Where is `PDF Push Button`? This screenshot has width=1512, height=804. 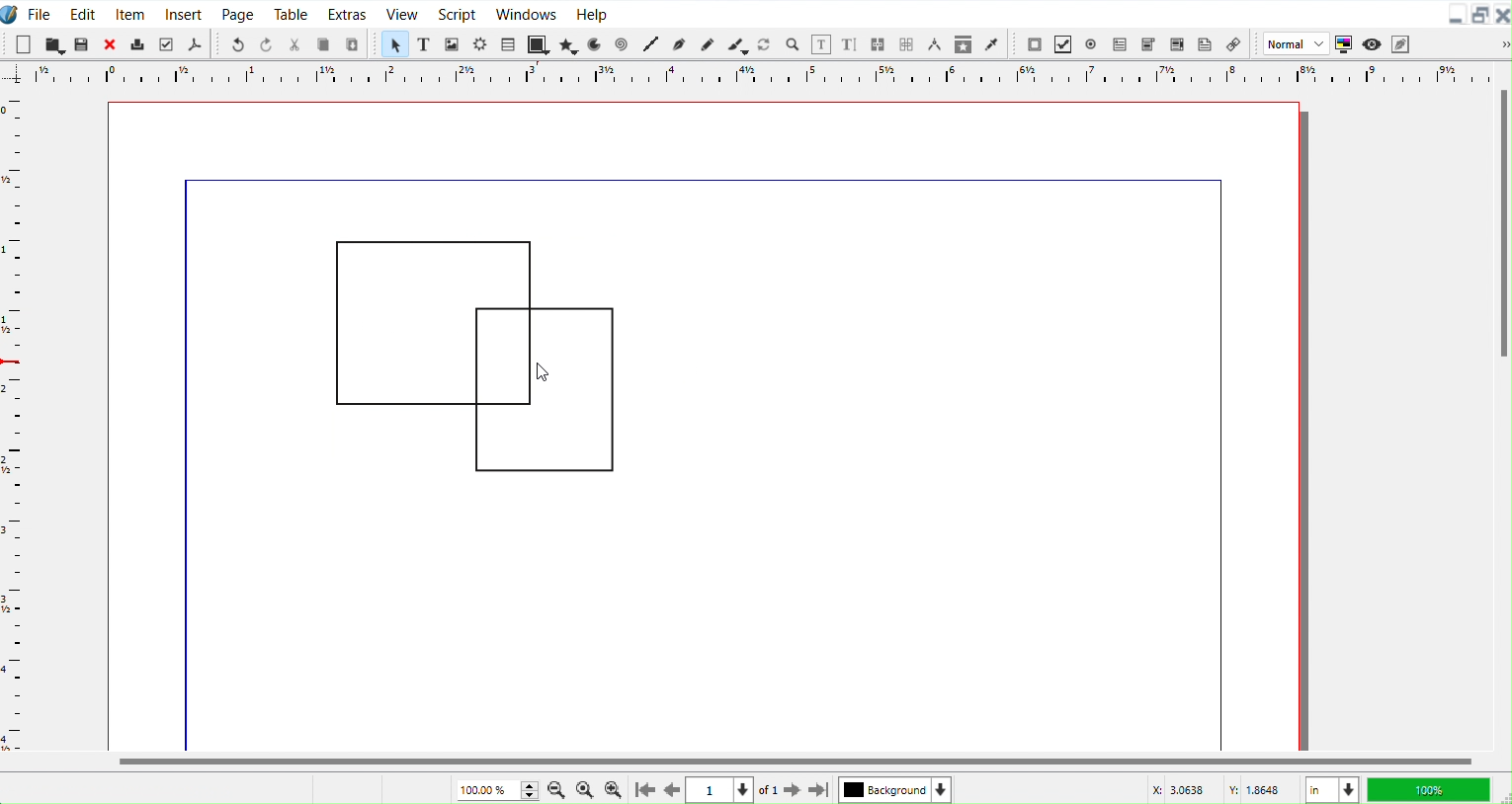
PDF Push Button is located at coordinates (1034, 44).